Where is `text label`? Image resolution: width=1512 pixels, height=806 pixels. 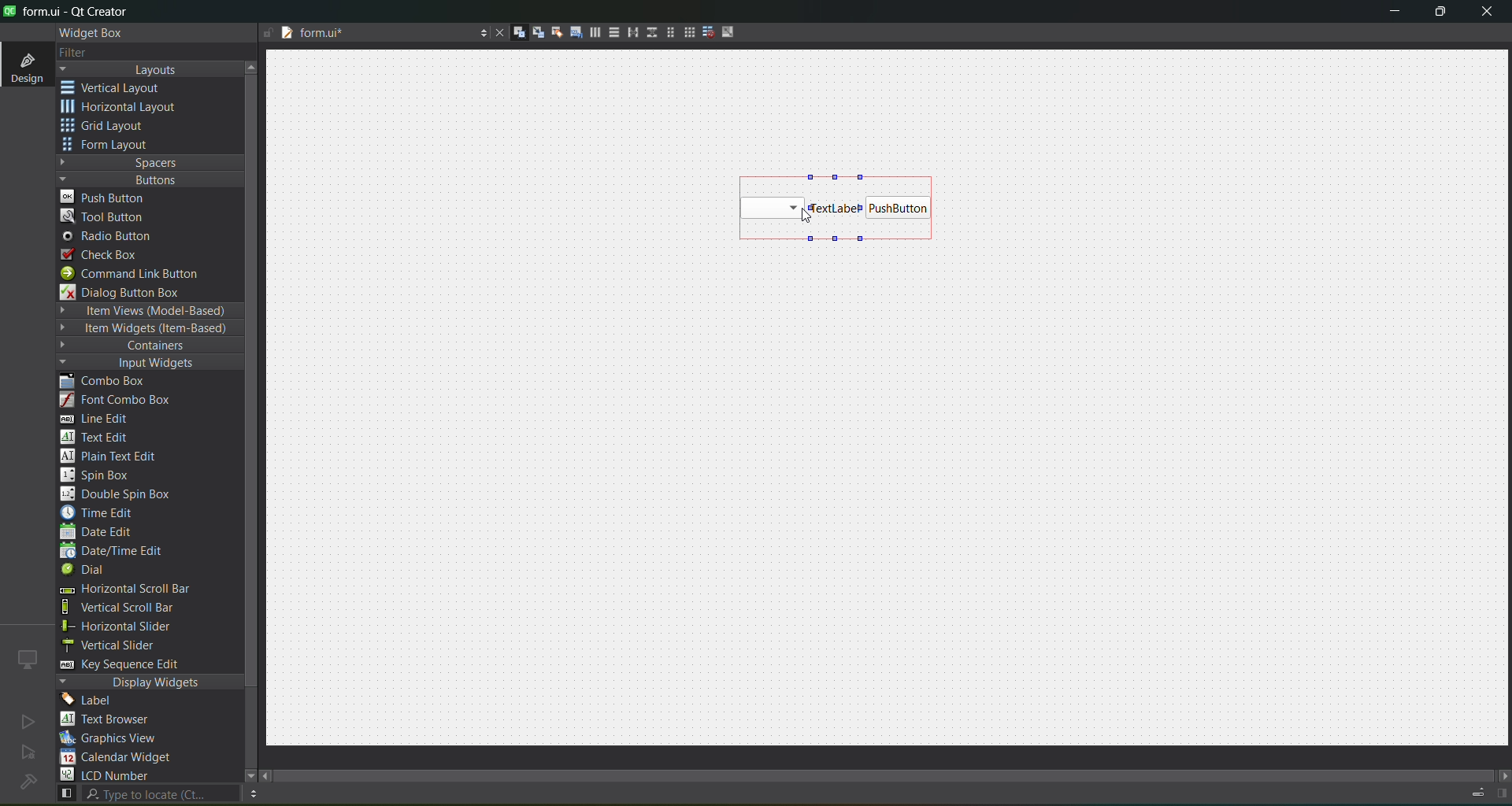
text label is located at coordinates (835, 208).